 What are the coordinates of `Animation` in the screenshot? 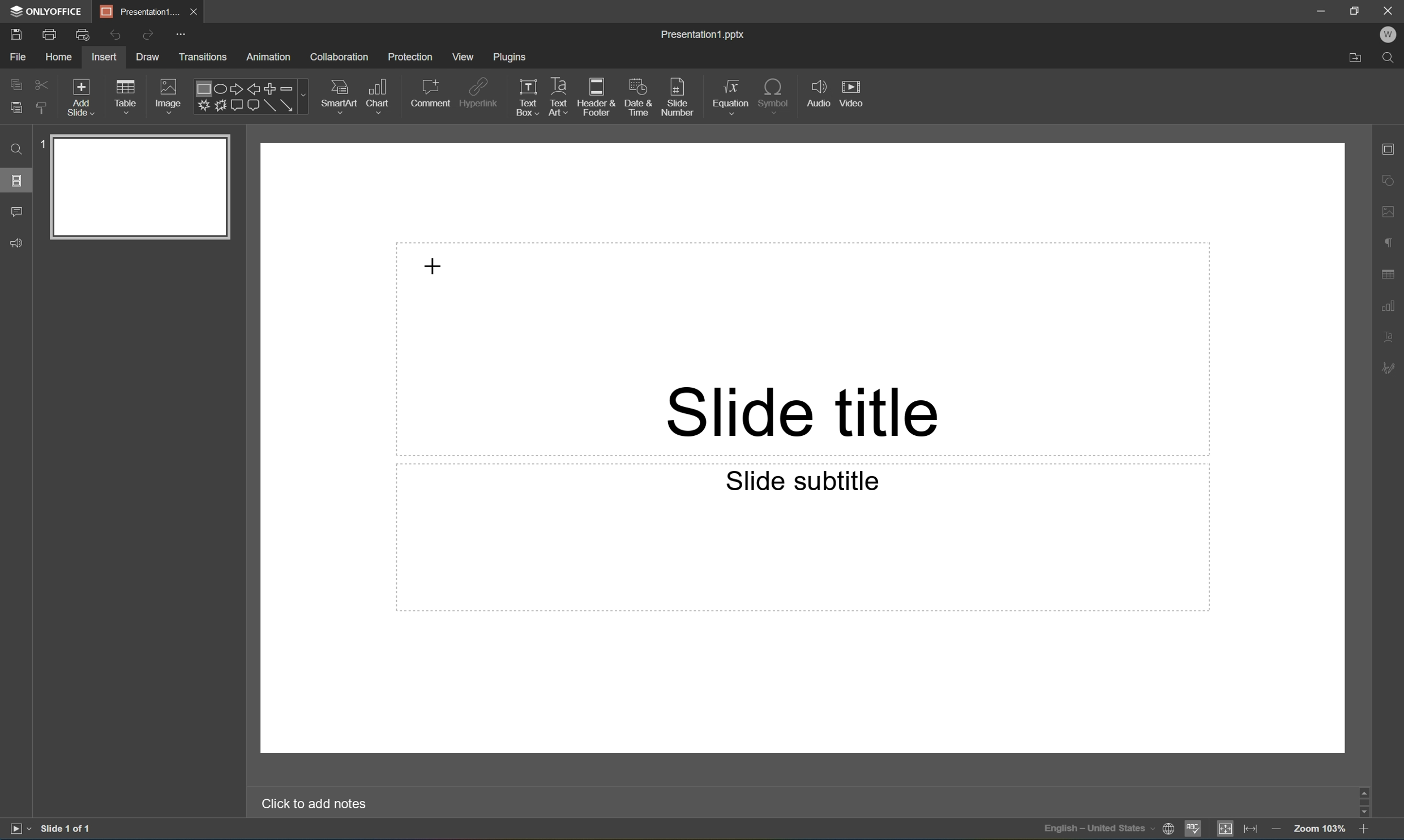 It's located at (268, 58).